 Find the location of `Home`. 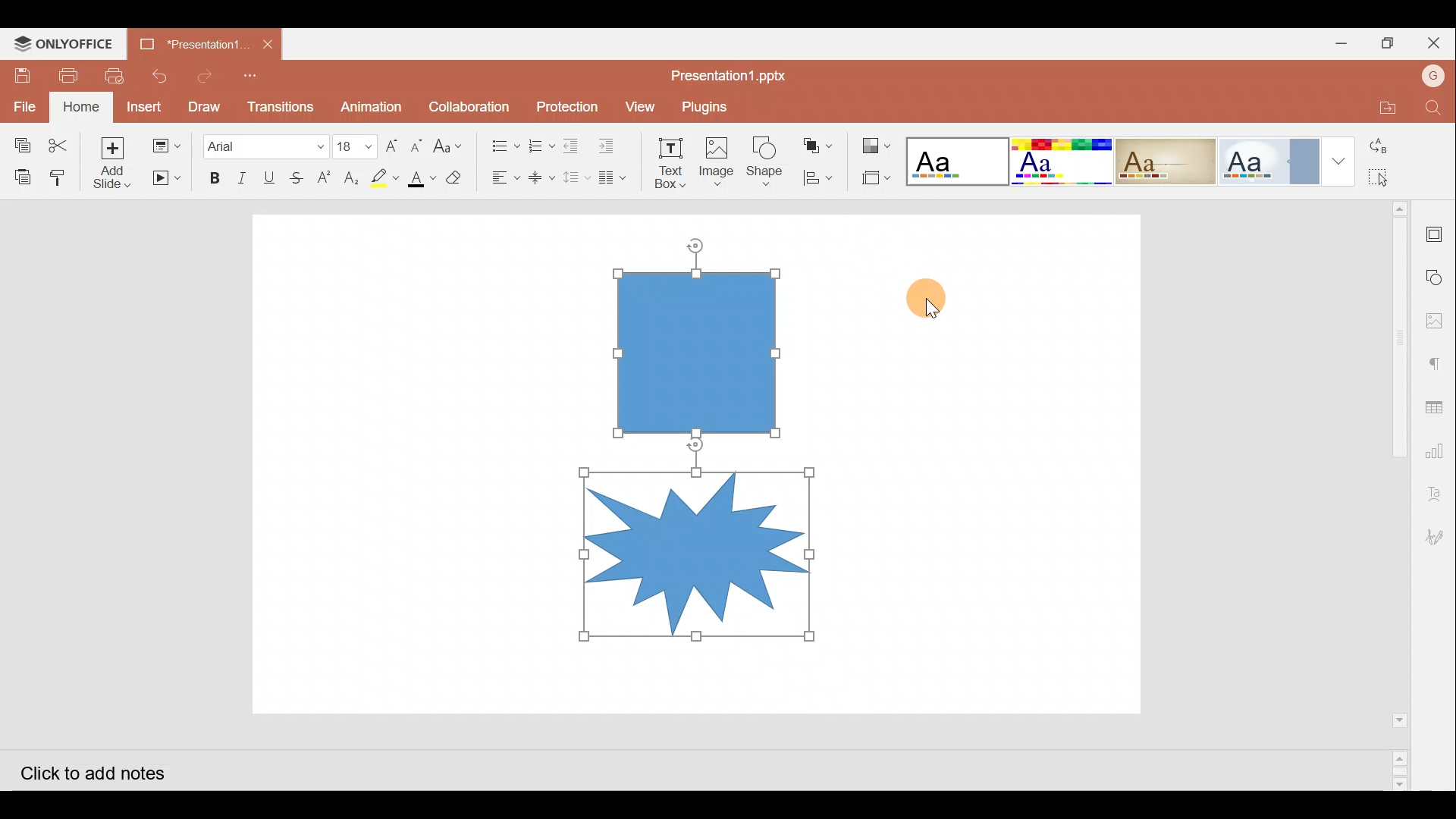

Home is located at coordinates (81, 107).